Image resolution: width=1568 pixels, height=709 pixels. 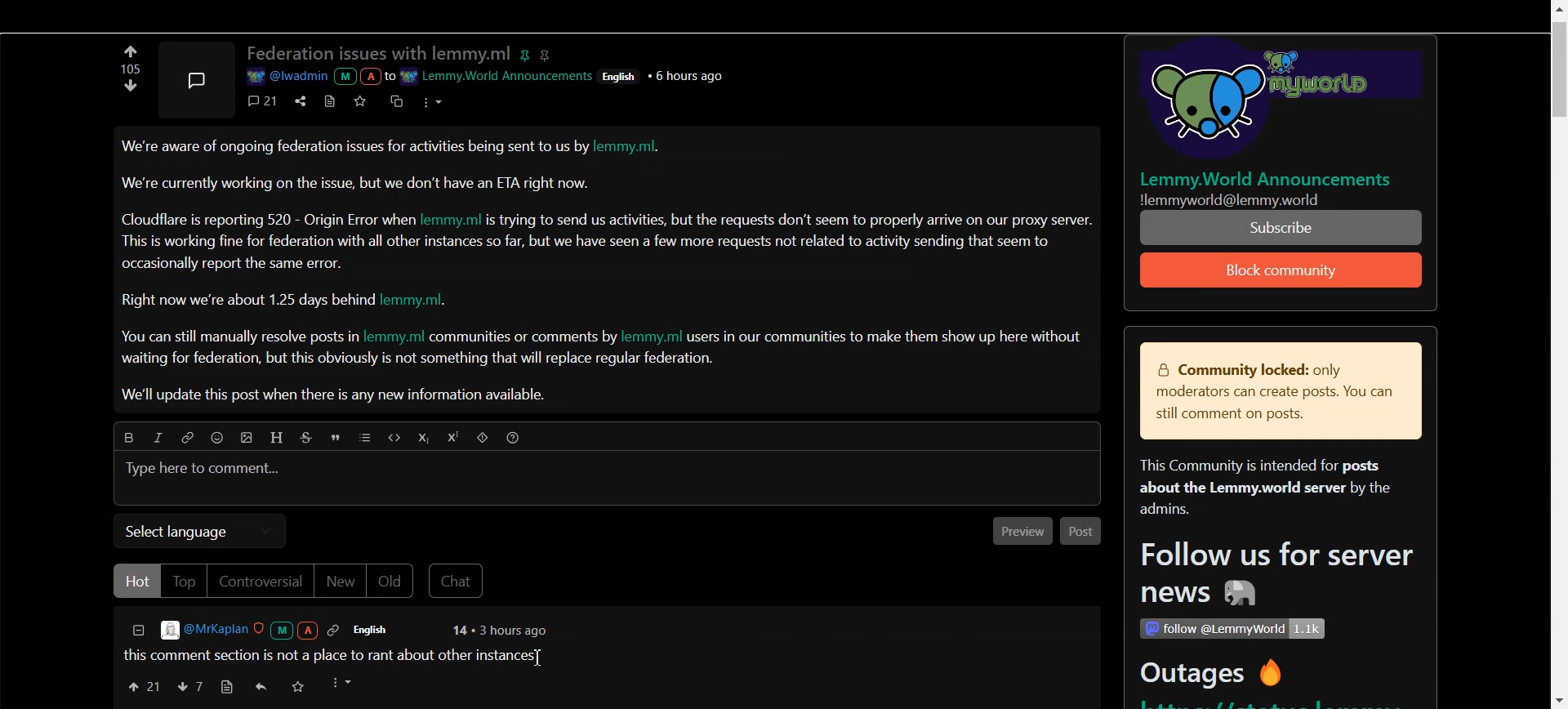 What do you see at coordinates (1232, 629) in the screenshot?
I see `` at bounding box center [1232, 629].